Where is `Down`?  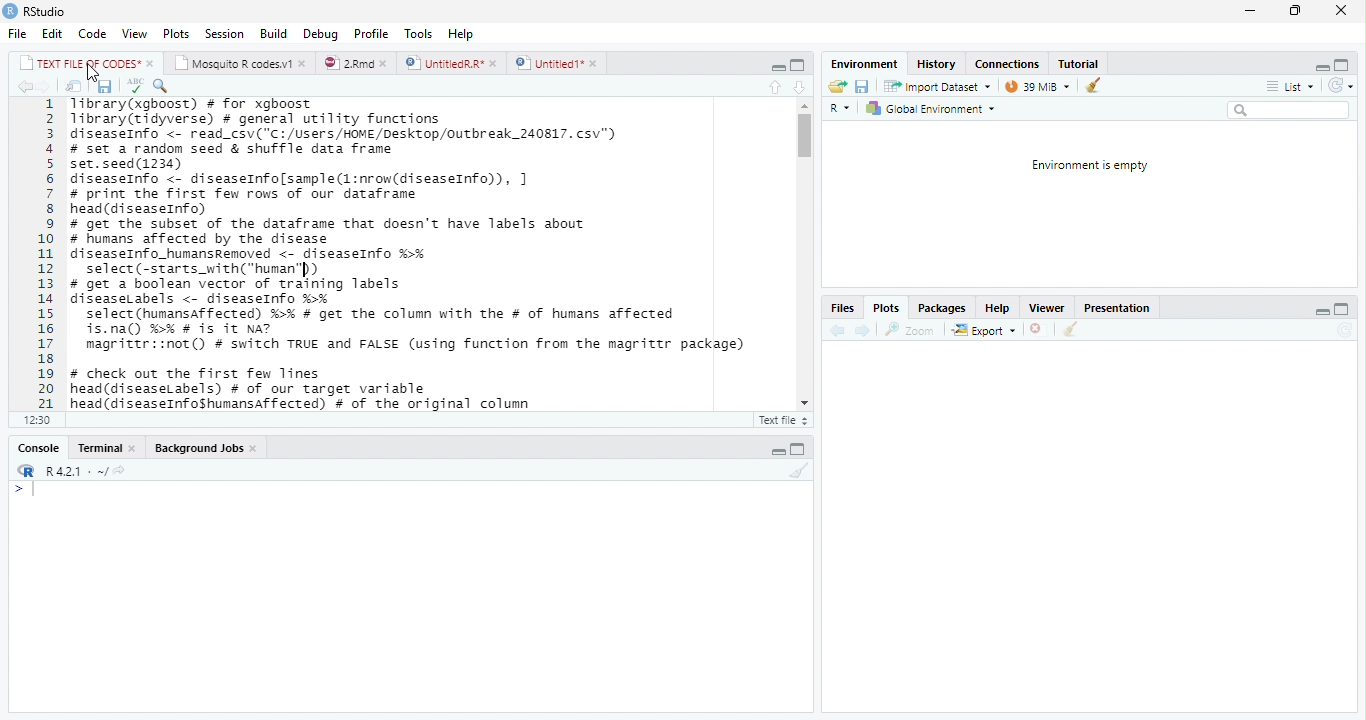 Down is located at coordinates (799, 84).